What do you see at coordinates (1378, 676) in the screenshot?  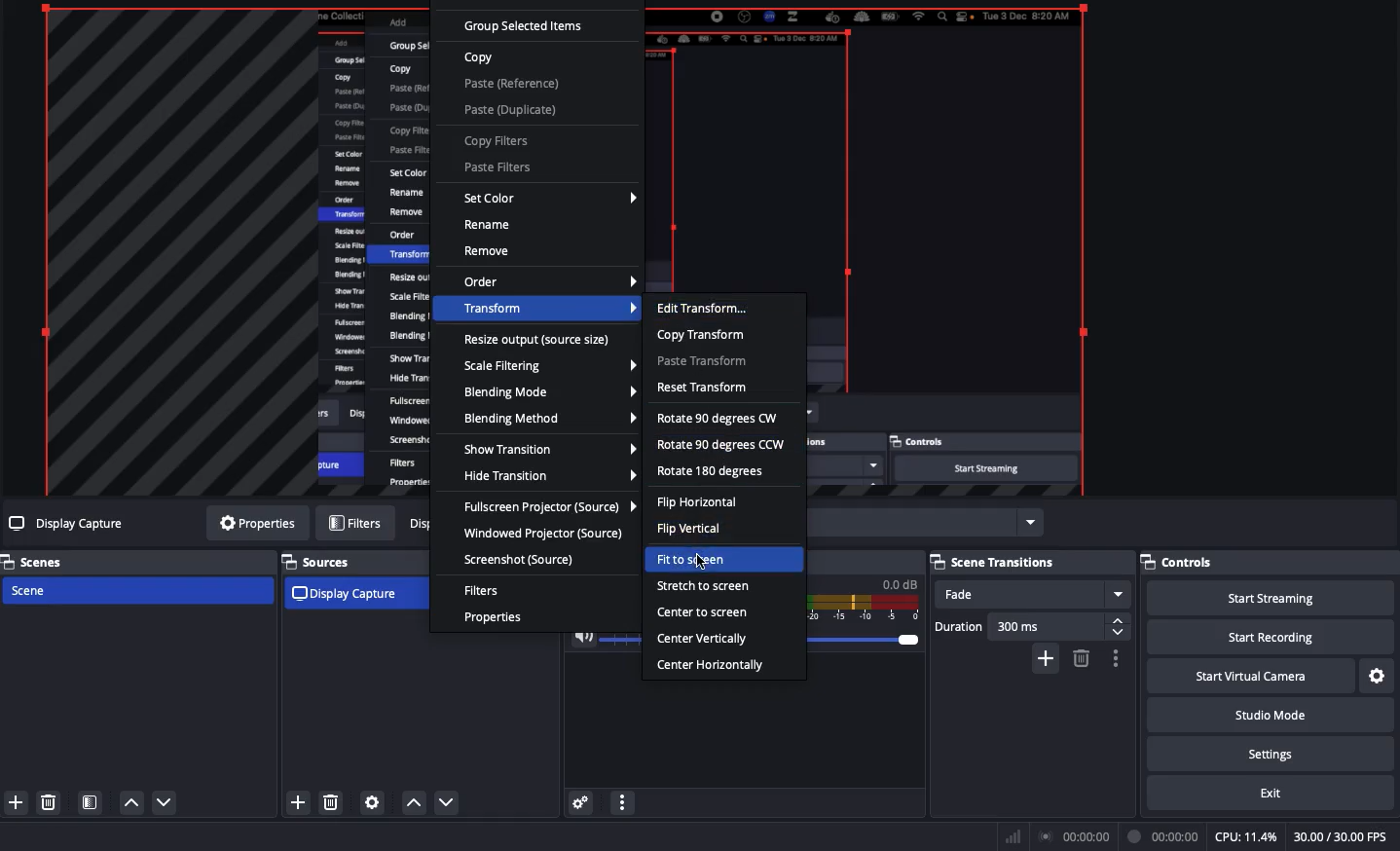 I see `Settings` at bounding box center [1378, 676].